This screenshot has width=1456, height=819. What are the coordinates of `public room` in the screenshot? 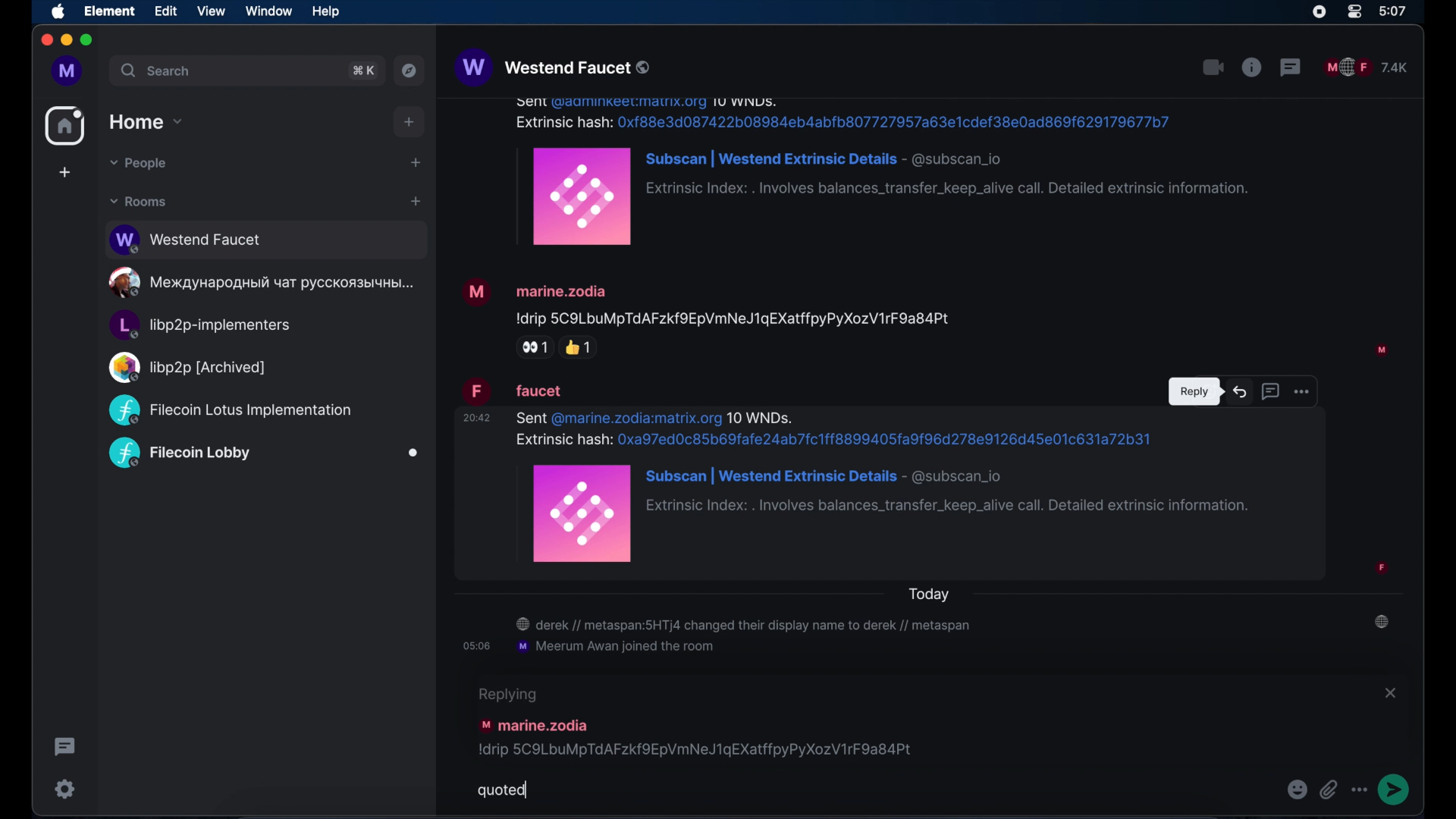 It's located at (230, 410).